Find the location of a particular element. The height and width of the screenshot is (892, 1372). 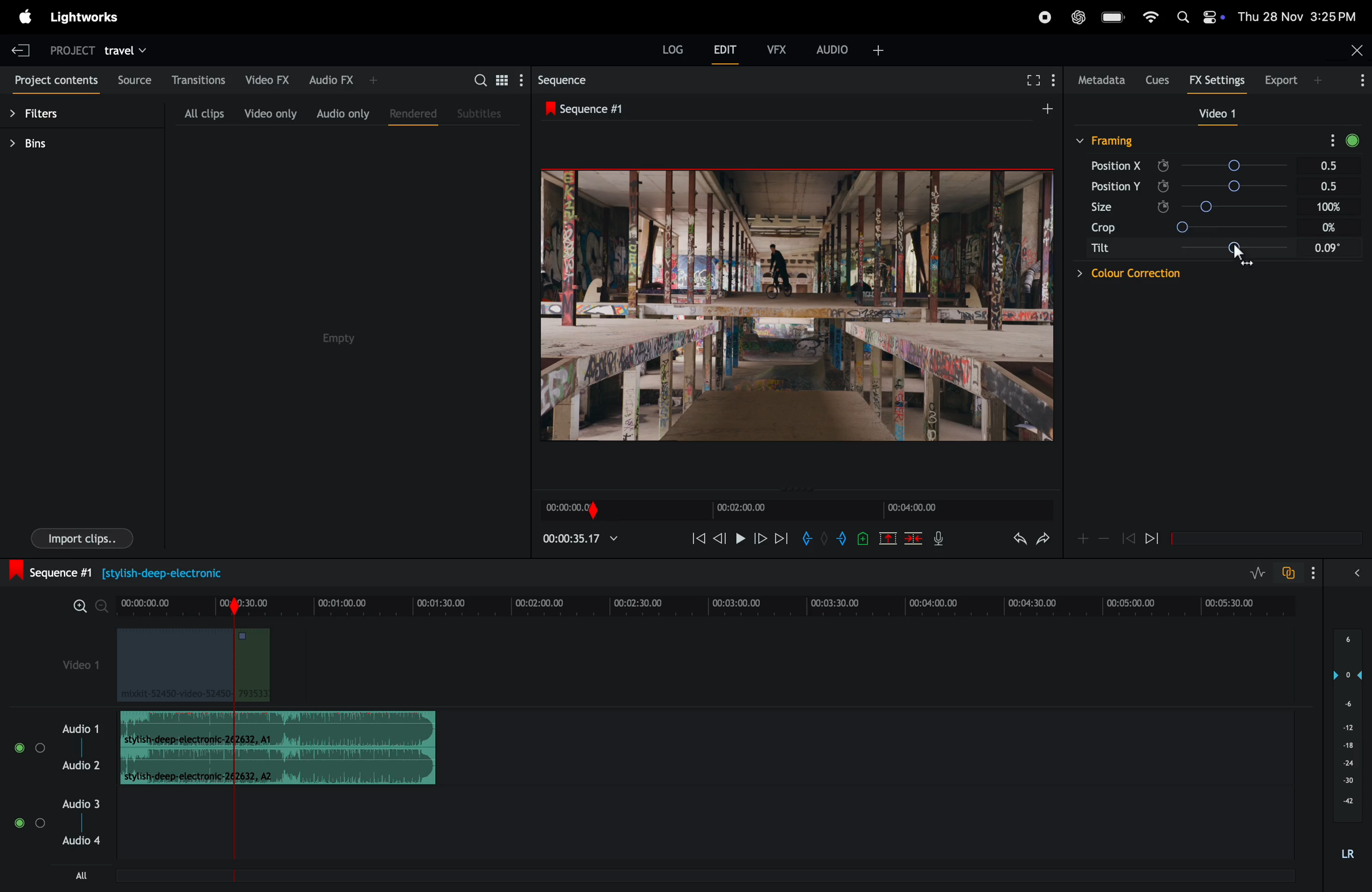

undo is located at coordinates (1017, 541).